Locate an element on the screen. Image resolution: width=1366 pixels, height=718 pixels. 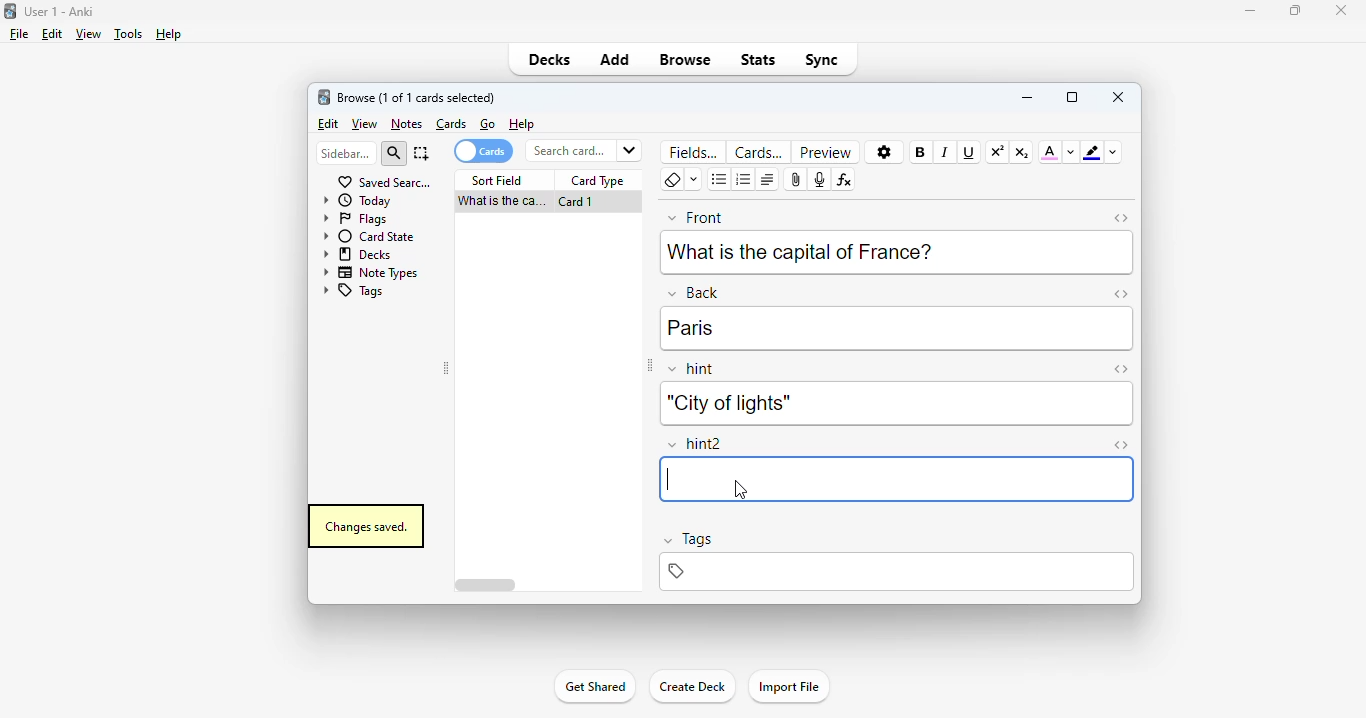
what is the capital of France? is located at coordinates (800, 250).